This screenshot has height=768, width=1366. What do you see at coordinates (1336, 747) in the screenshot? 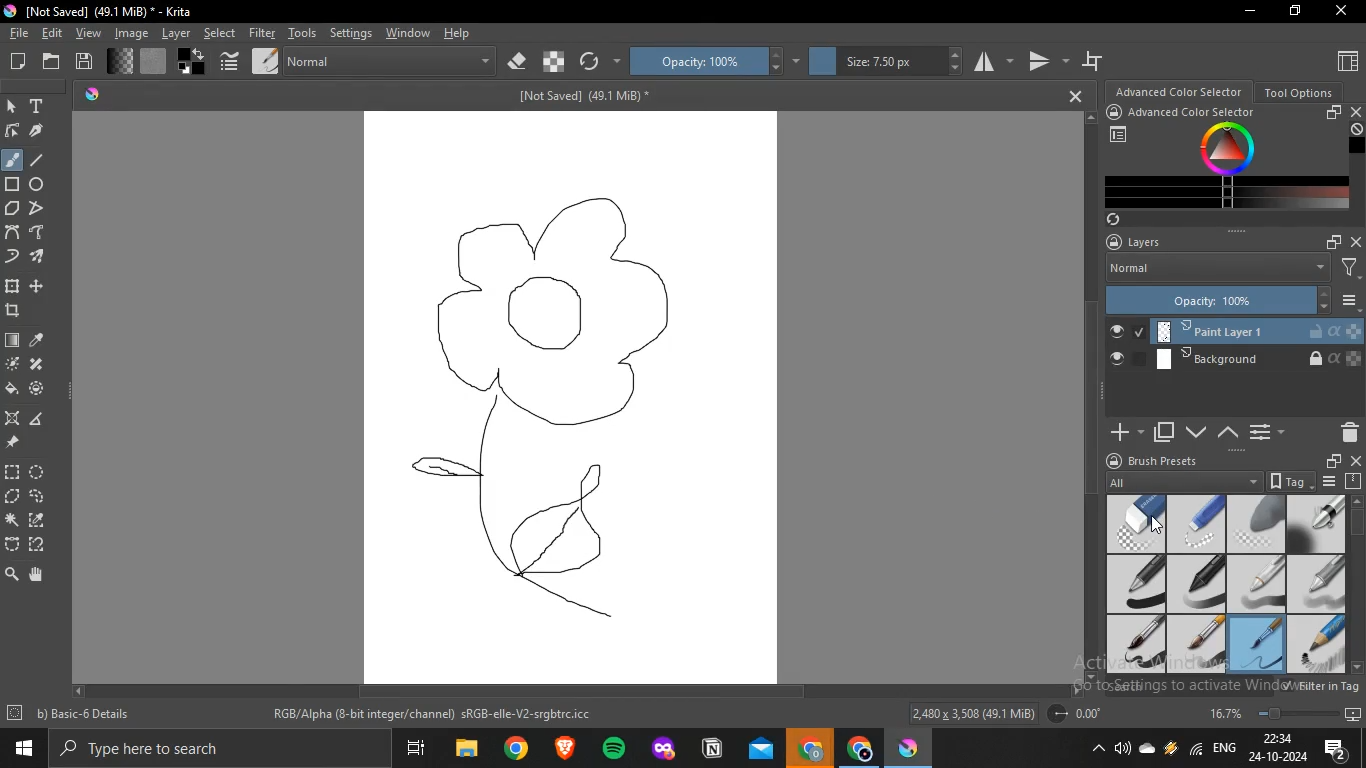
I see `Notifications` at bounding box center [1336, 747].